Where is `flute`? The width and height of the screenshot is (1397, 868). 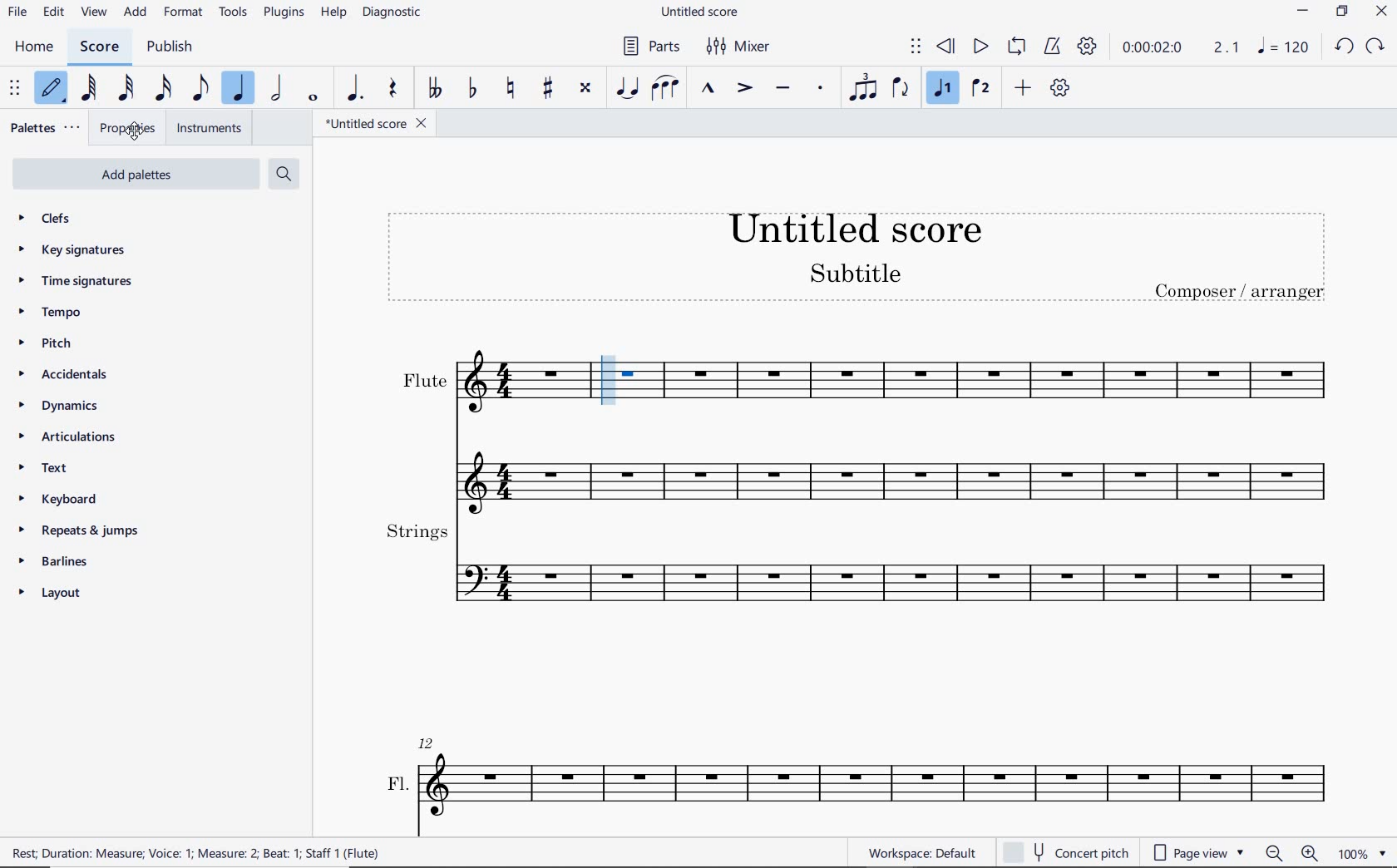 flute is located at coordinates (481, 384).